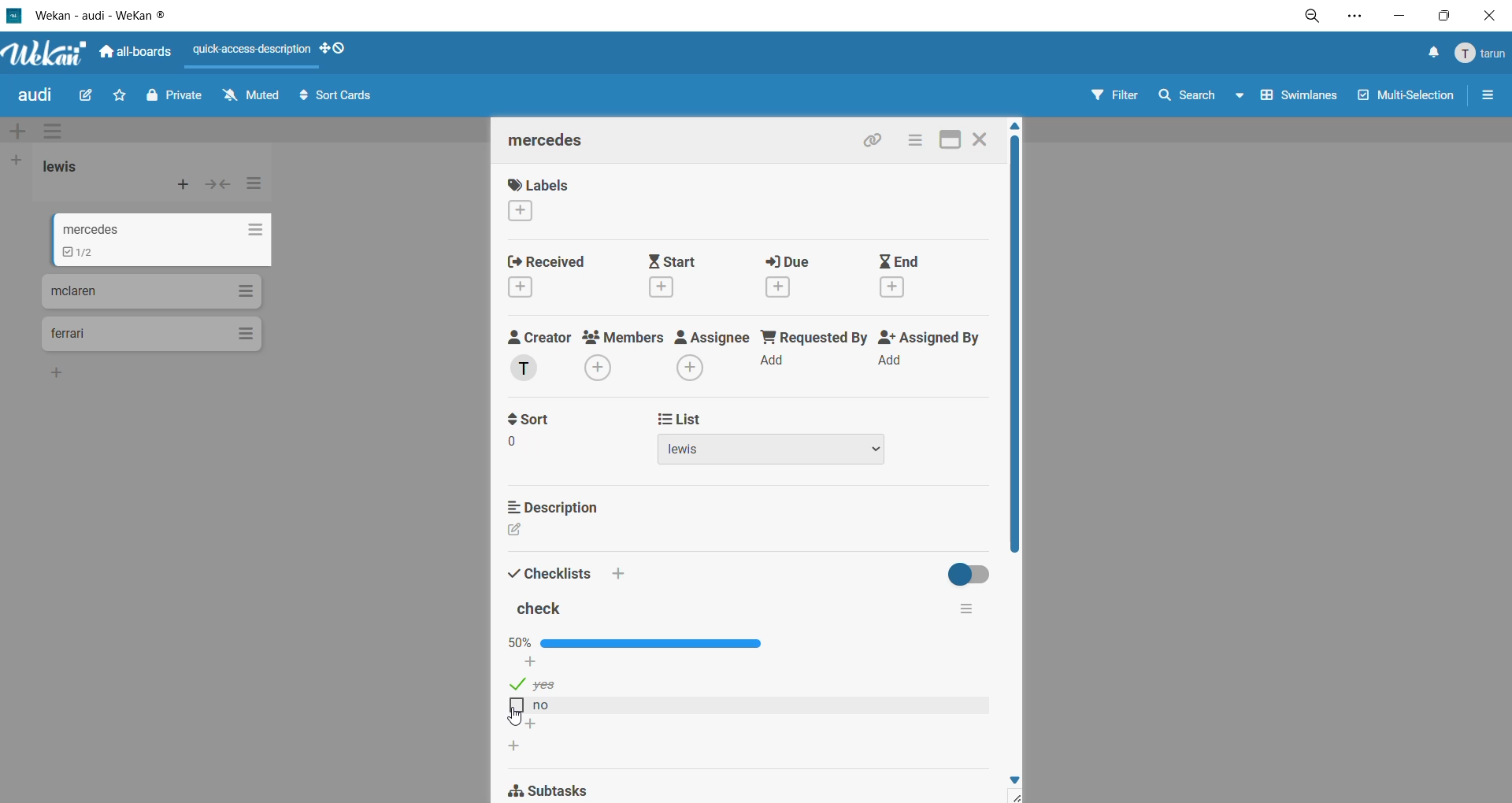 The height and width of the screenshot is (803, 1512). What do you see at coordinates (88, 15) in the screenshot?
I see `app title` at bounding box center [88, 15].